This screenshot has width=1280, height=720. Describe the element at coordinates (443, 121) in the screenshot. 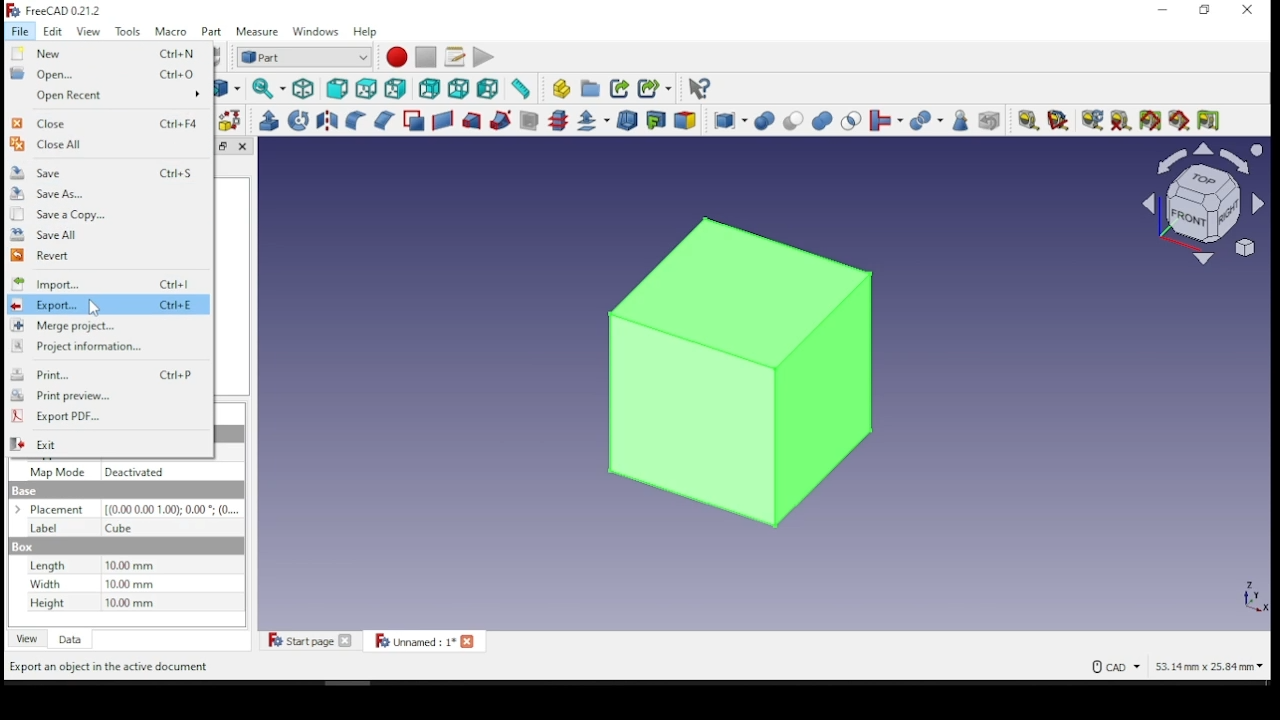

I see `create ruled surface` at that location.